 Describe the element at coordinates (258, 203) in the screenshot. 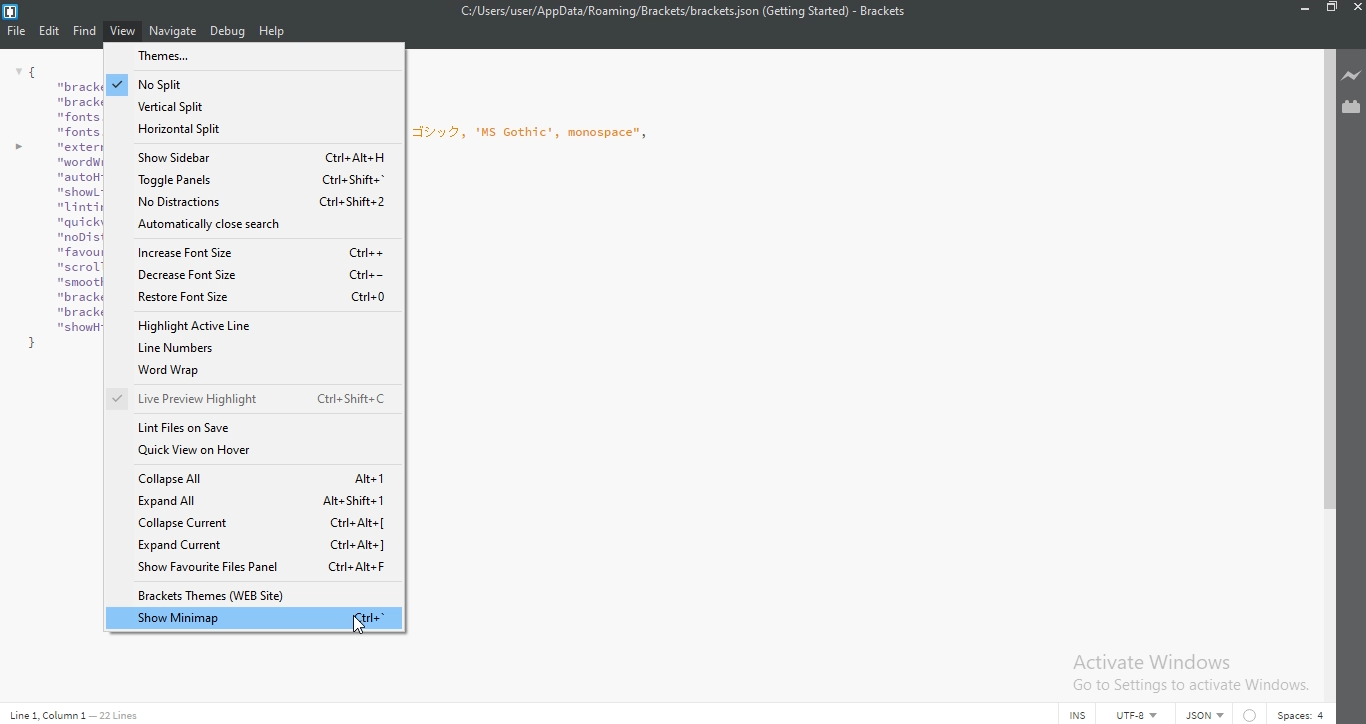

I see `no distractions` at that location.